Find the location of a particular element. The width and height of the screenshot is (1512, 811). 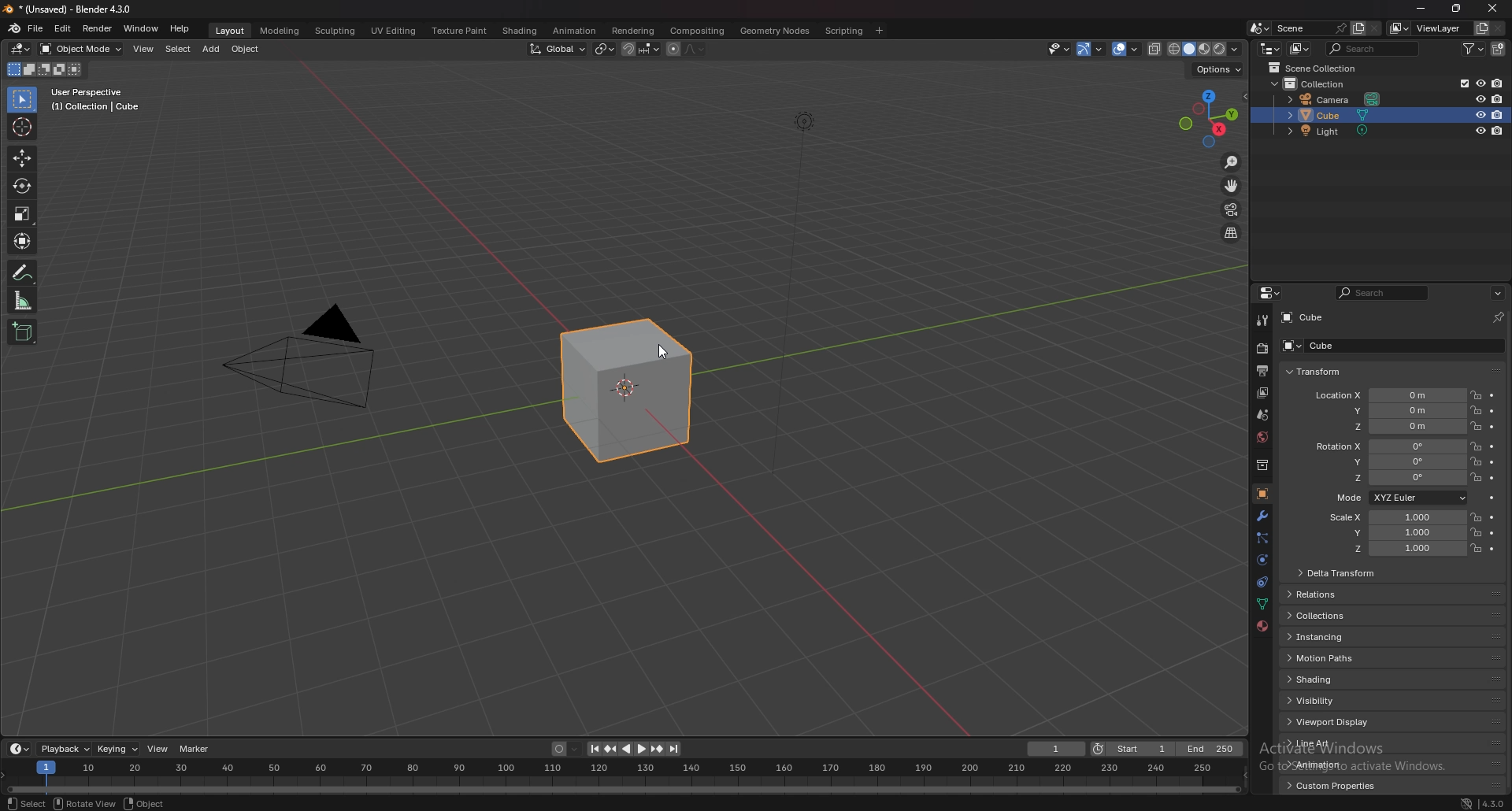

snapping is located at coordinates (641, 49).